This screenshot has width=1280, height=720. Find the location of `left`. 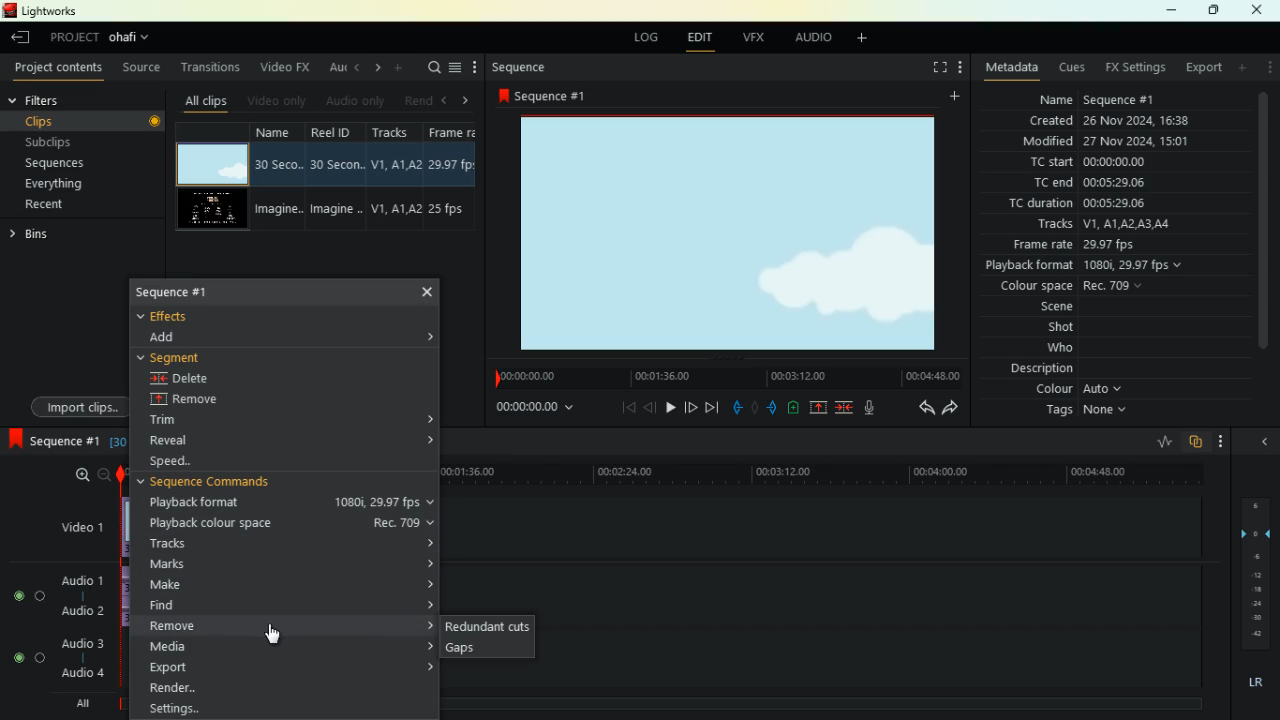

left is located at coordinates (356, 68).